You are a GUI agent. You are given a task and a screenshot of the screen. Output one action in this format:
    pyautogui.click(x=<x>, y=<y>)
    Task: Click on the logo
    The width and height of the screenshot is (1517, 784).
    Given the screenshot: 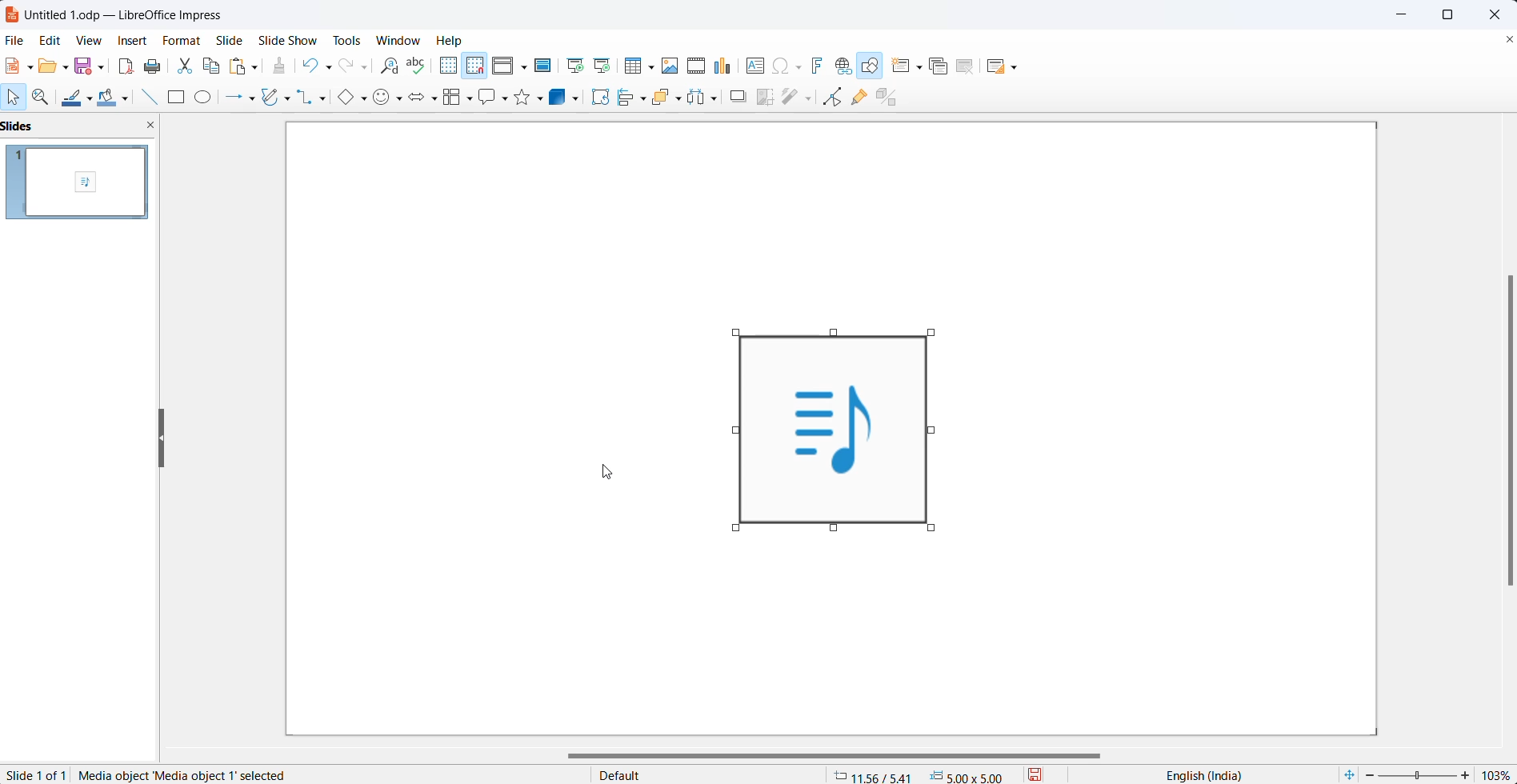 What is the action you would take?
    pyautogui.click(x=12, y=15)
    